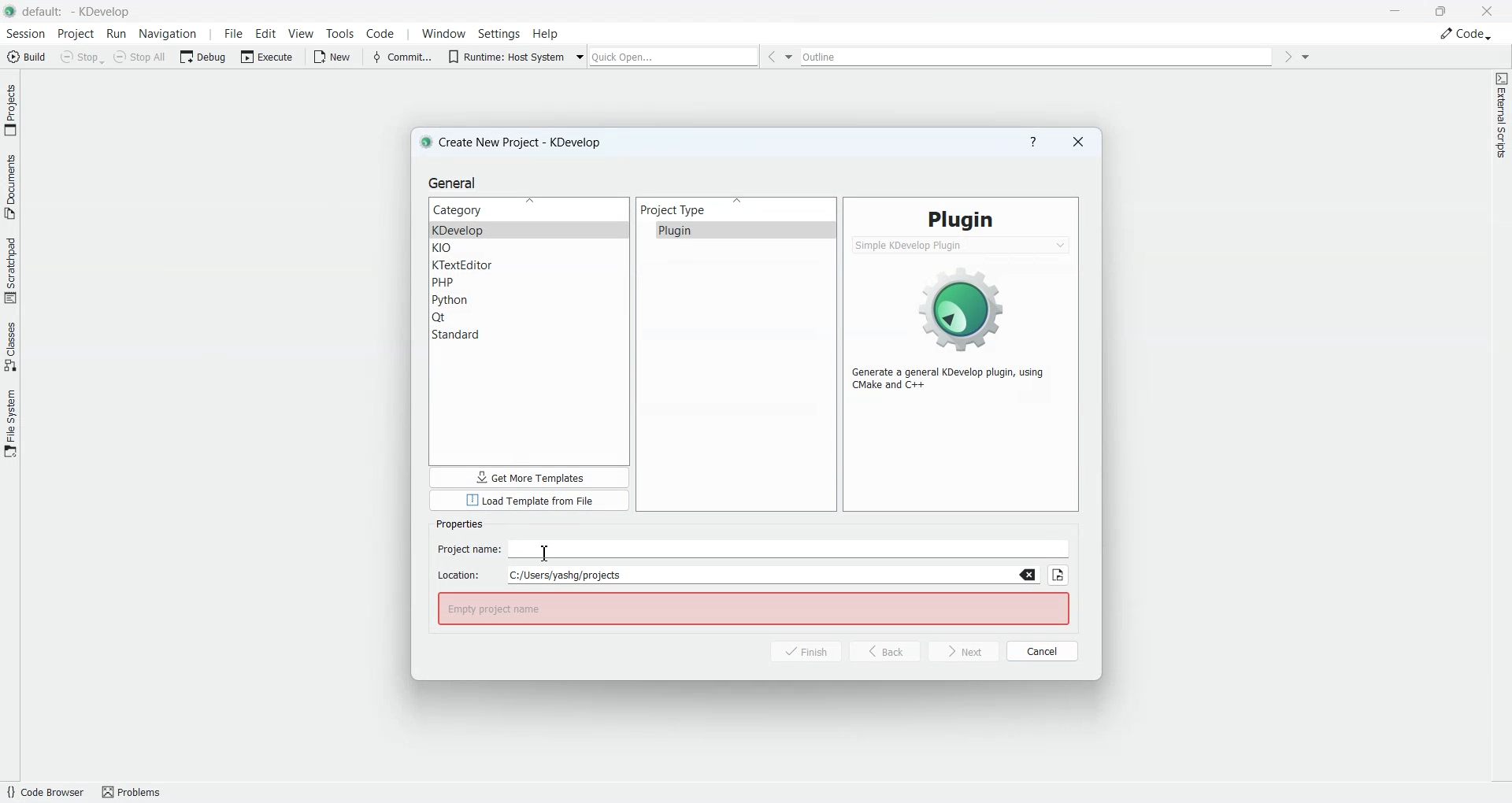 The height and width of the screenshot is (803, 1512). Describe the element at coordinates (231, 34) in the screenshot. I see `File` at that location.